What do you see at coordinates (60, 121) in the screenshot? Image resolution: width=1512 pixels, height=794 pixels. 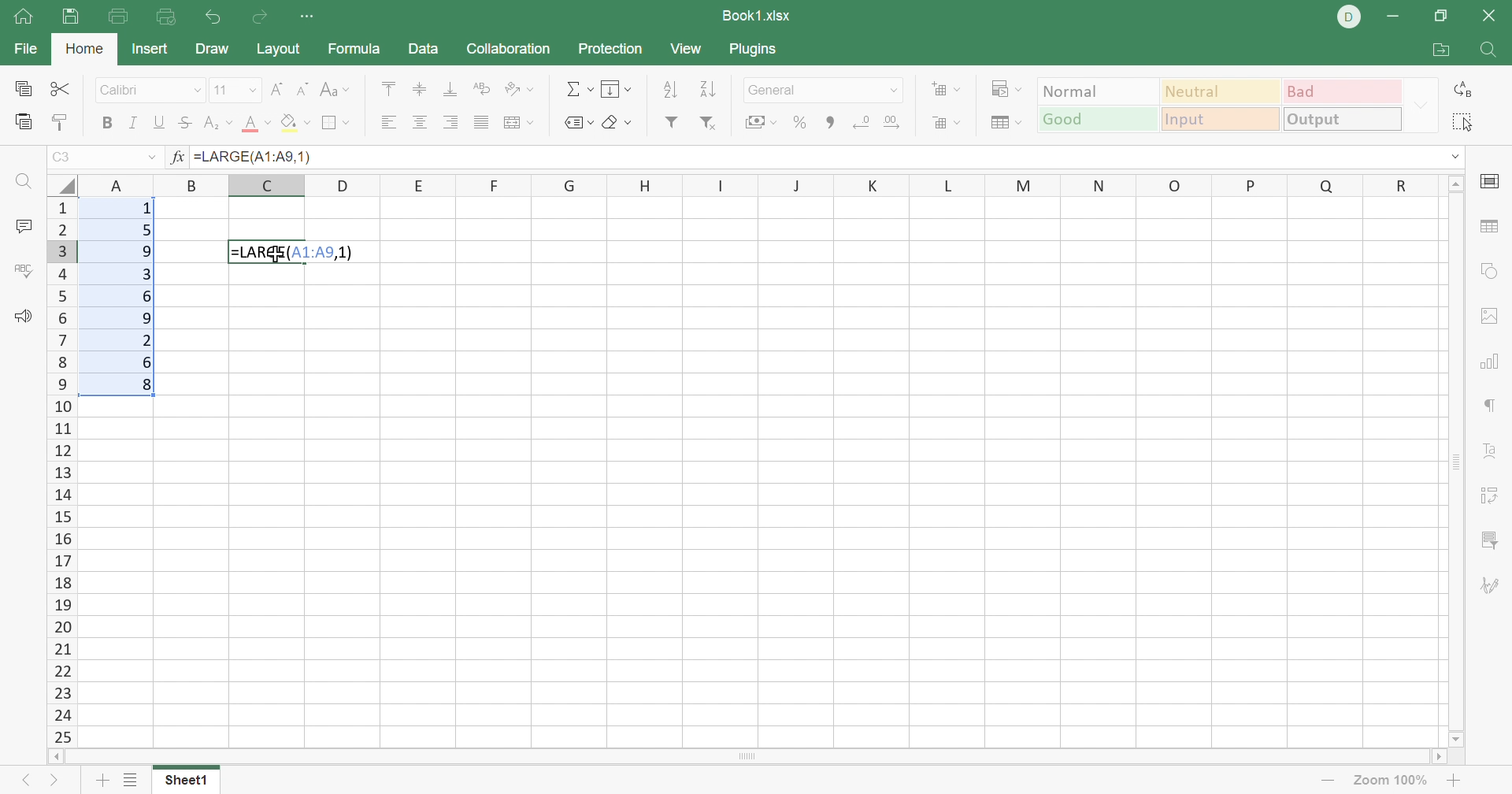 I see `Copy style` at bounding box center [60, 121].